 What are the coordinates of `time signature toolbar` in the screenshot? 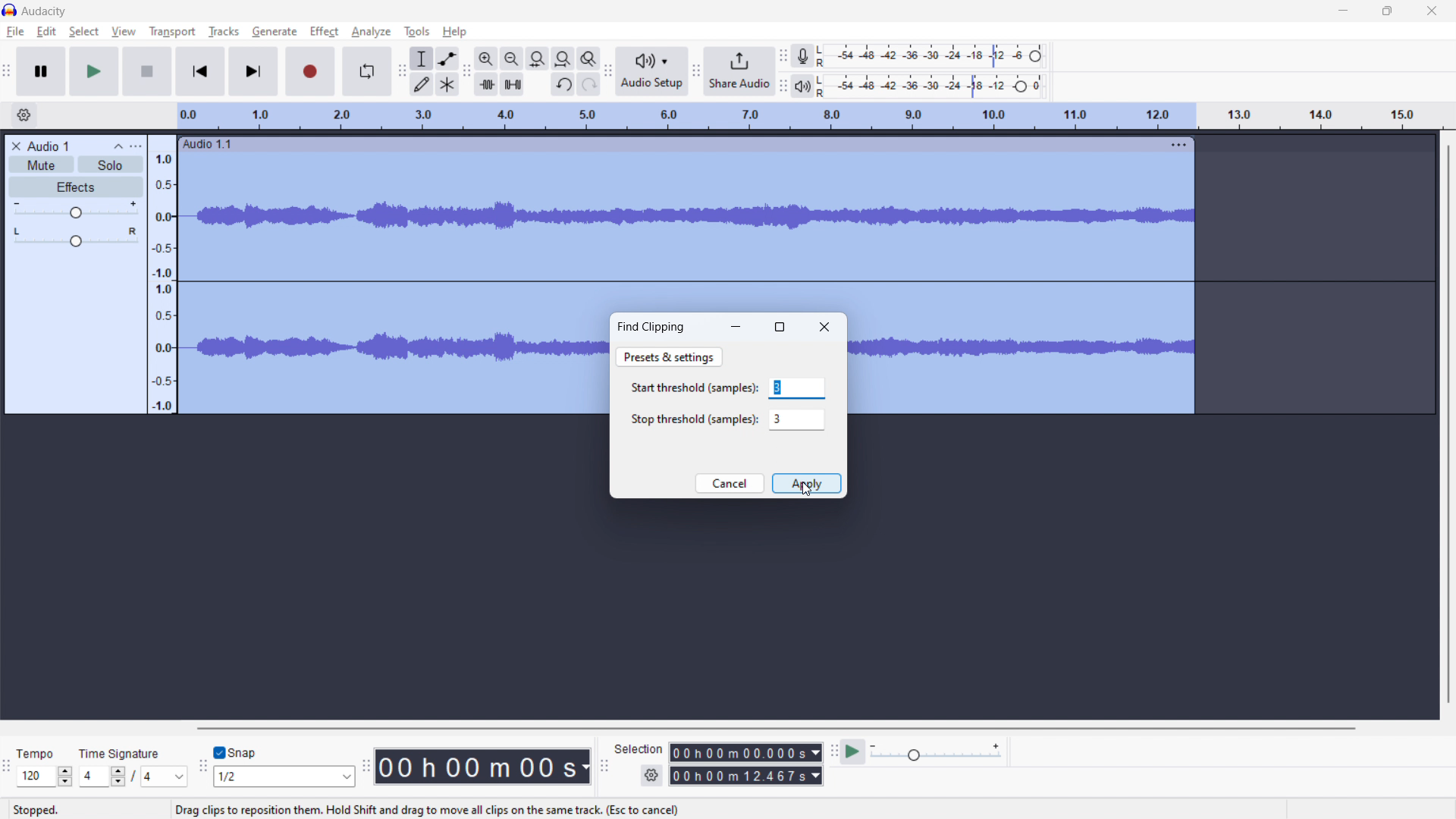 It's located at (10, 764).